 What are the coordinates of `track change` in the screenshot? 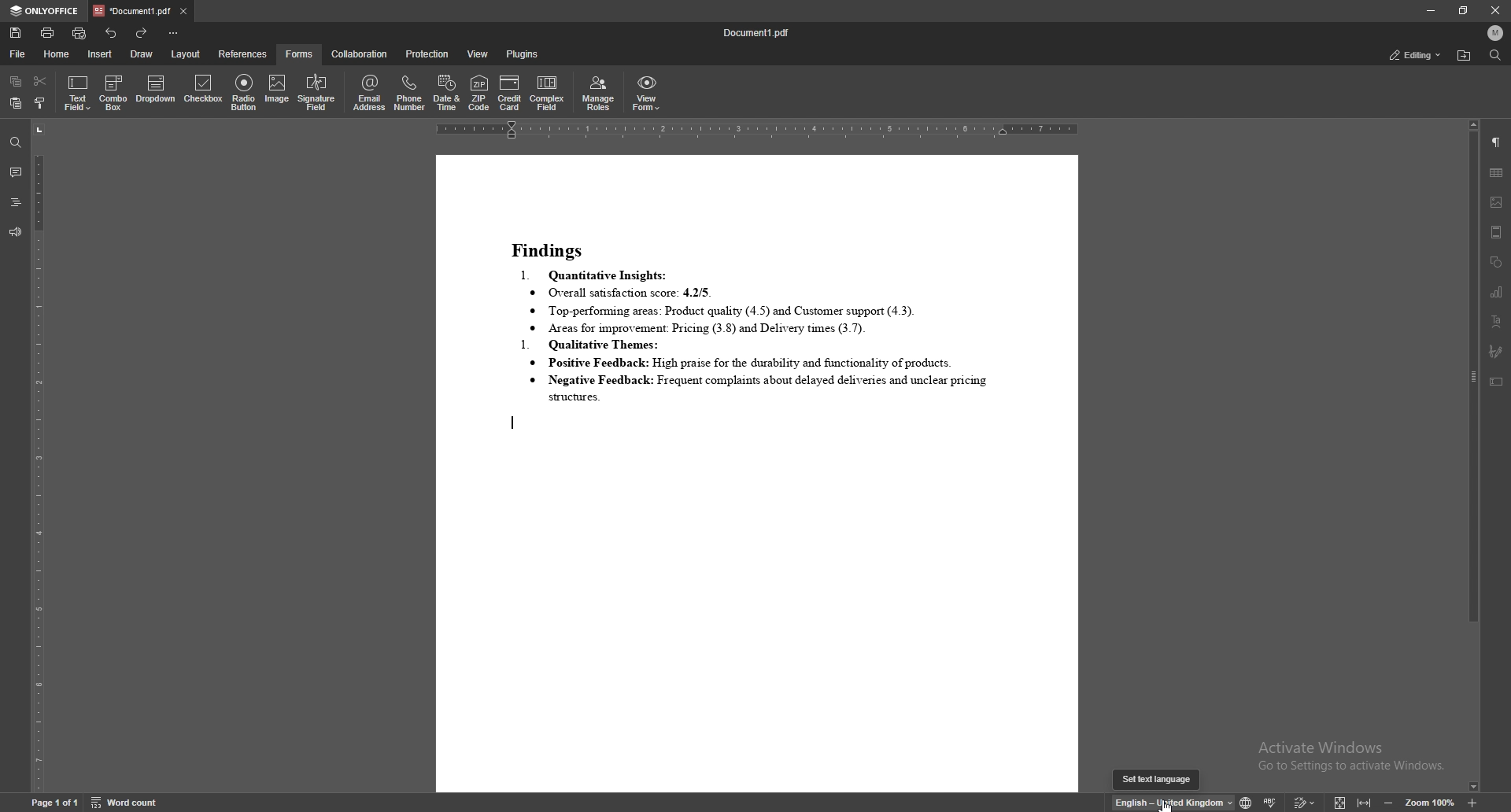 It's located at (1305, 803).